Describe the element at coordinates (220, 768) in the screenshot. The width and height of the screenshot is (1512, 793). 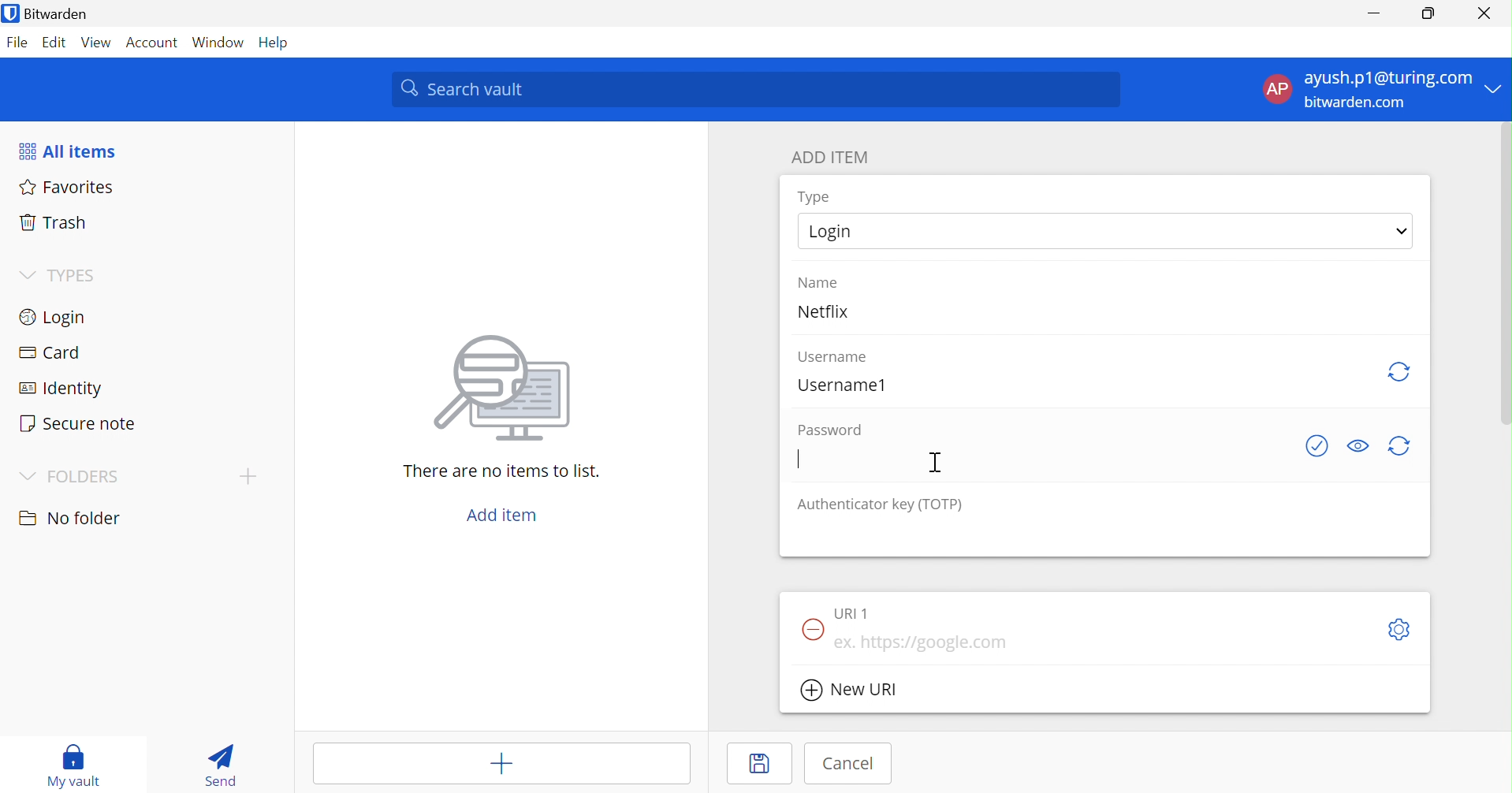
I see `Send` at that location.